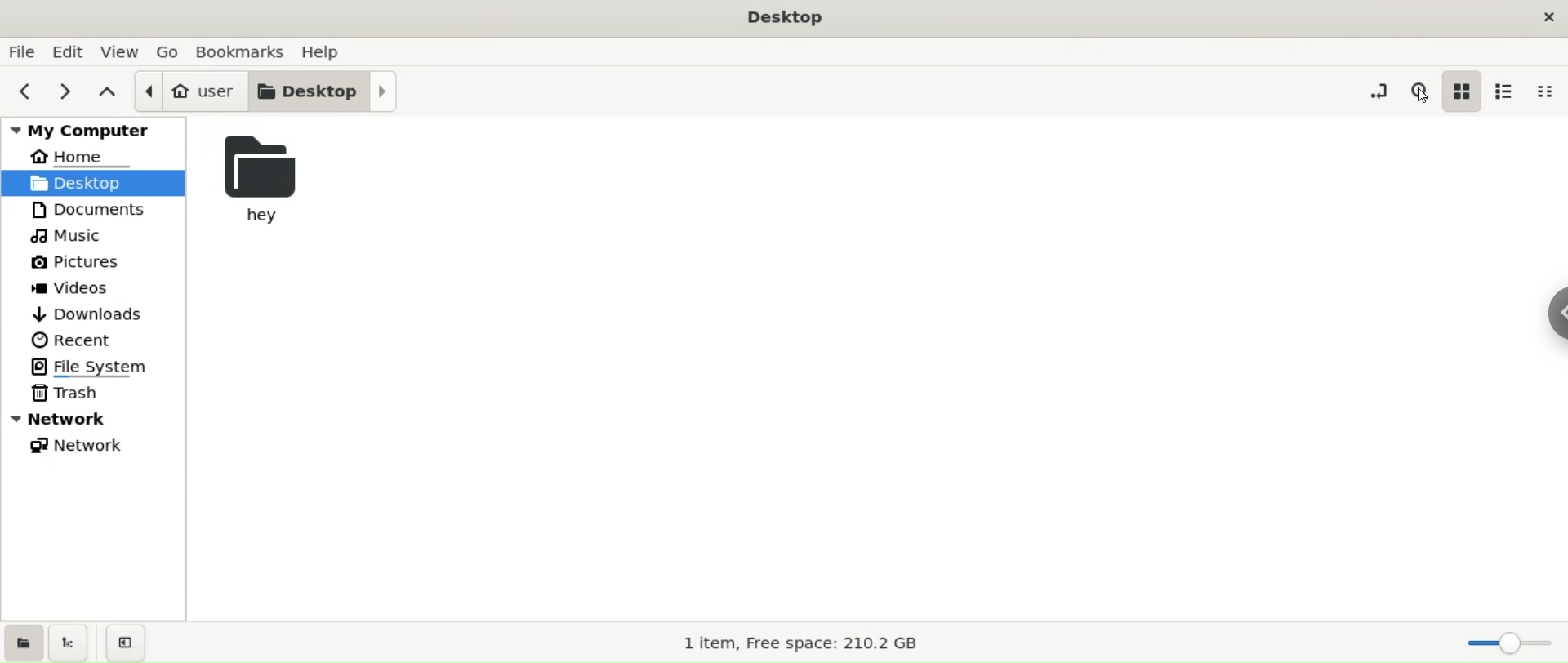  What do you see at coordinates (69, 93) in the screenshot?
I see `next` at bounding box center [69, 93].